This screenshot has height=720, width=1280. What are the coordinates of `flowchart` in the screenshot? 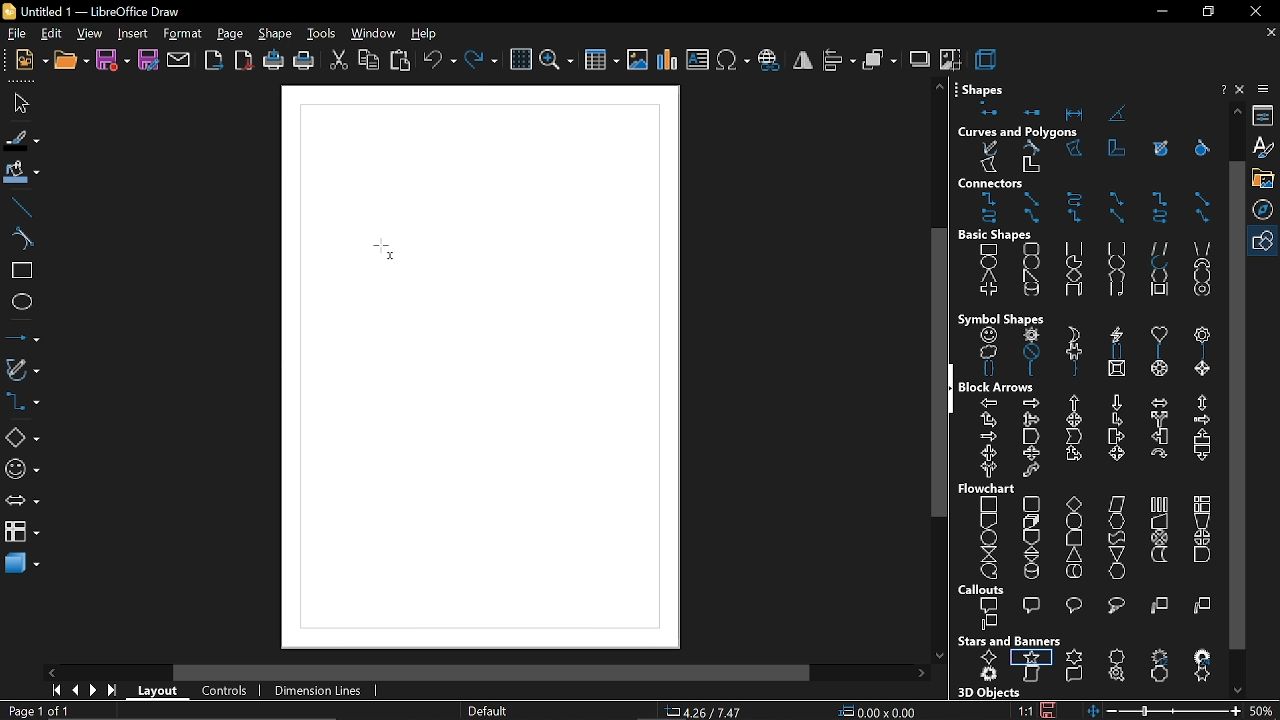 It's located at (21, 530).